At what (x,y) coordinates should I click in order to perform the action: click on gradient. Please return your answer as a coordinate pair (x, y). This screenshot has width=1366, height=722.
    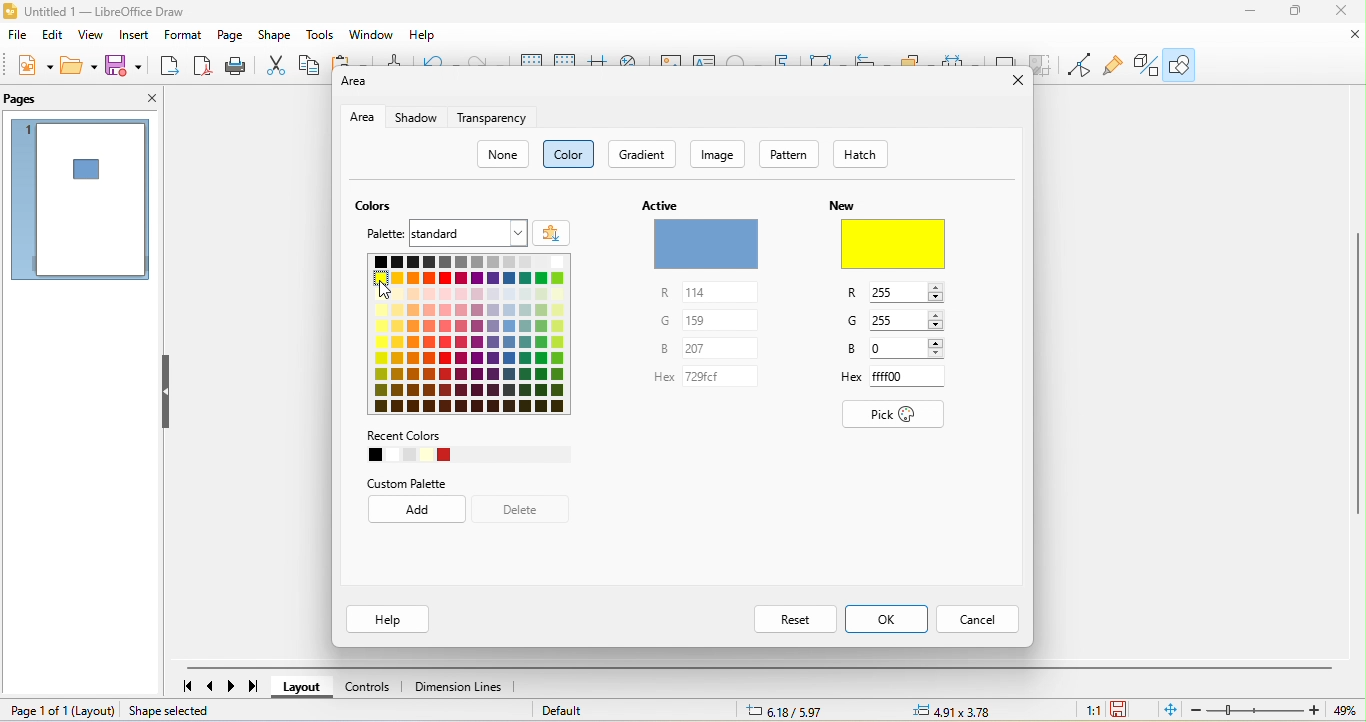
    Looking at the image, I should click on (643, 154).